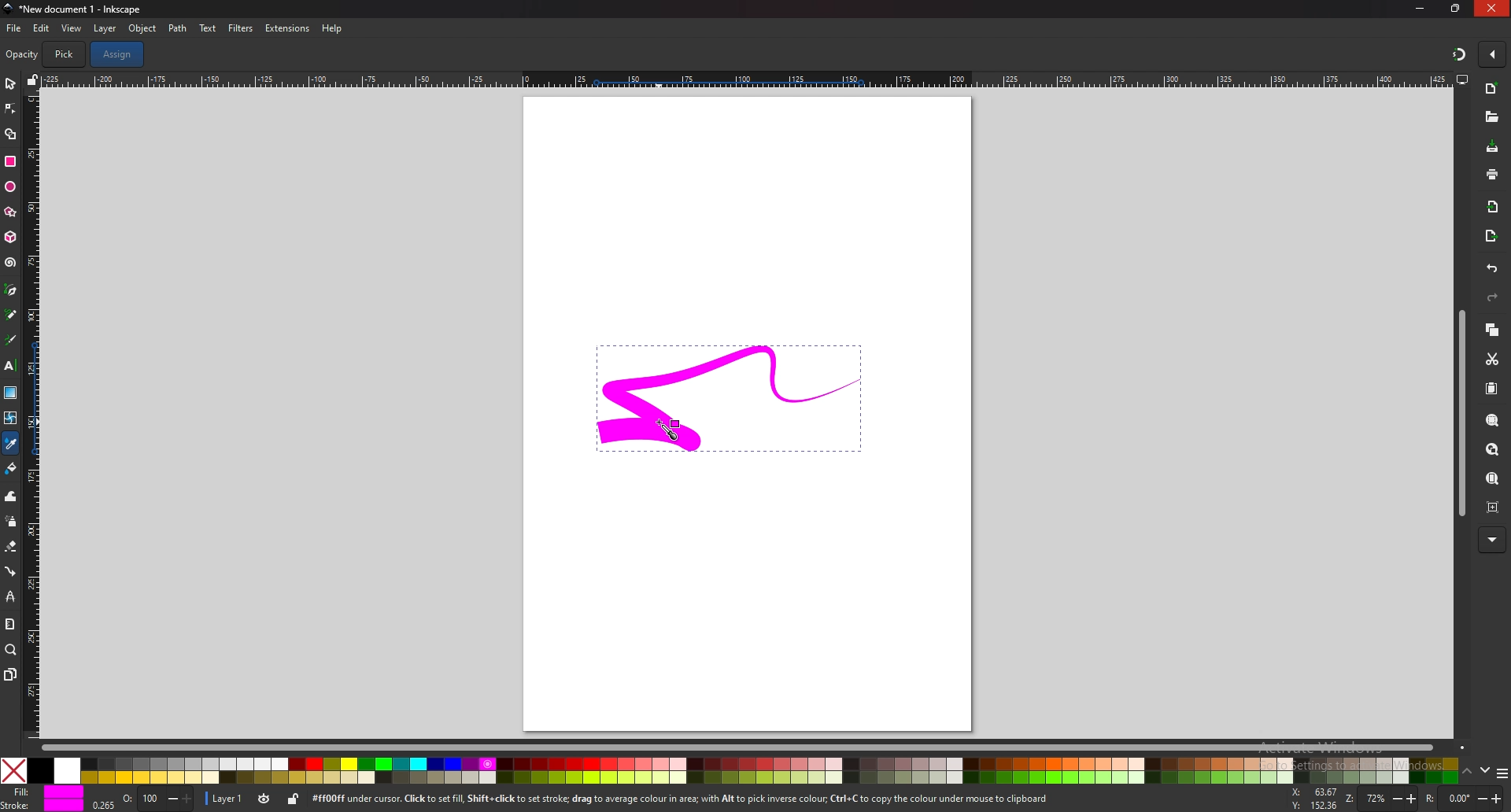  I want to click on lpe, so click(11, 597).